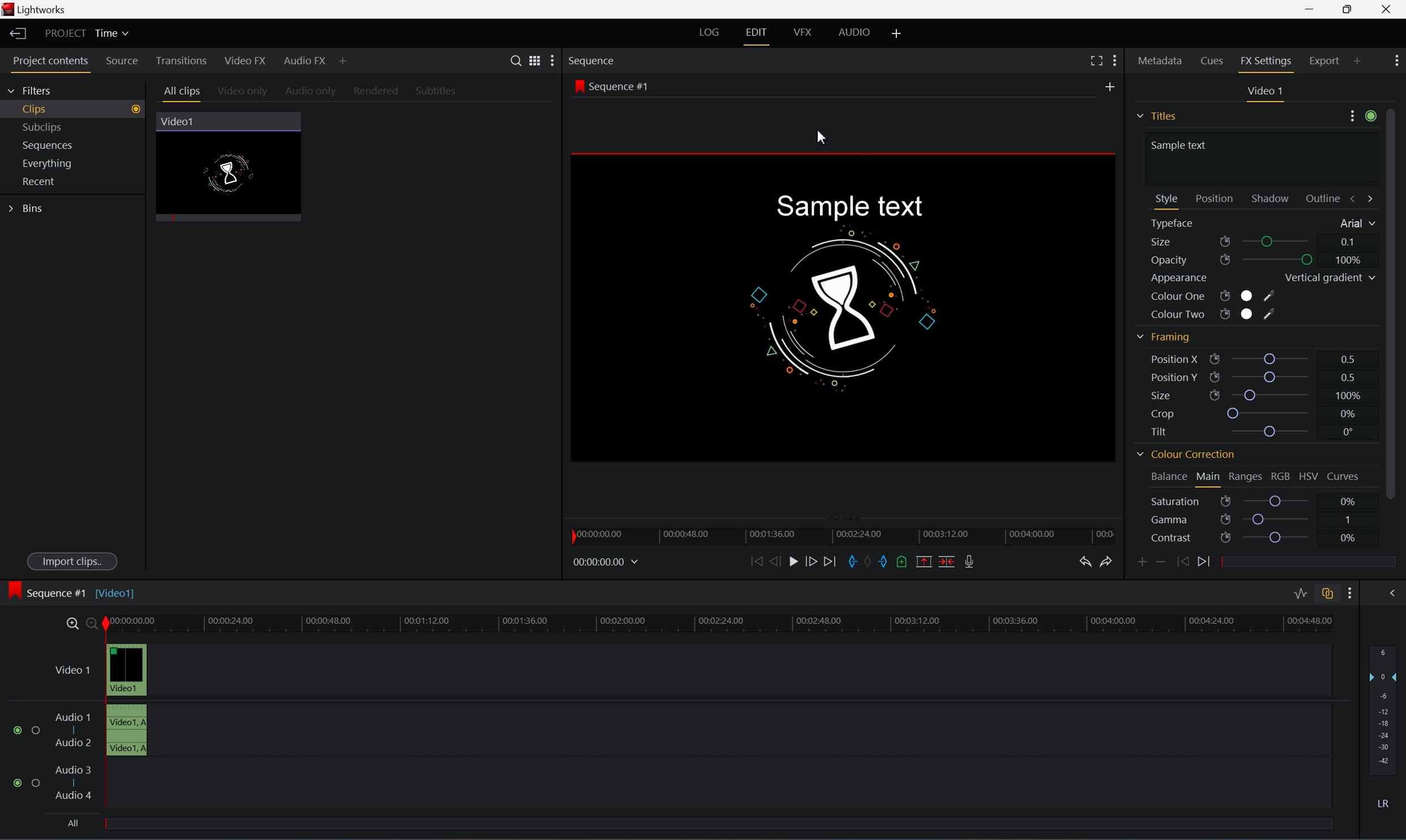  Describe the element at coordinates (379, 92) in the screenshot. I see `Rendered` at that location.